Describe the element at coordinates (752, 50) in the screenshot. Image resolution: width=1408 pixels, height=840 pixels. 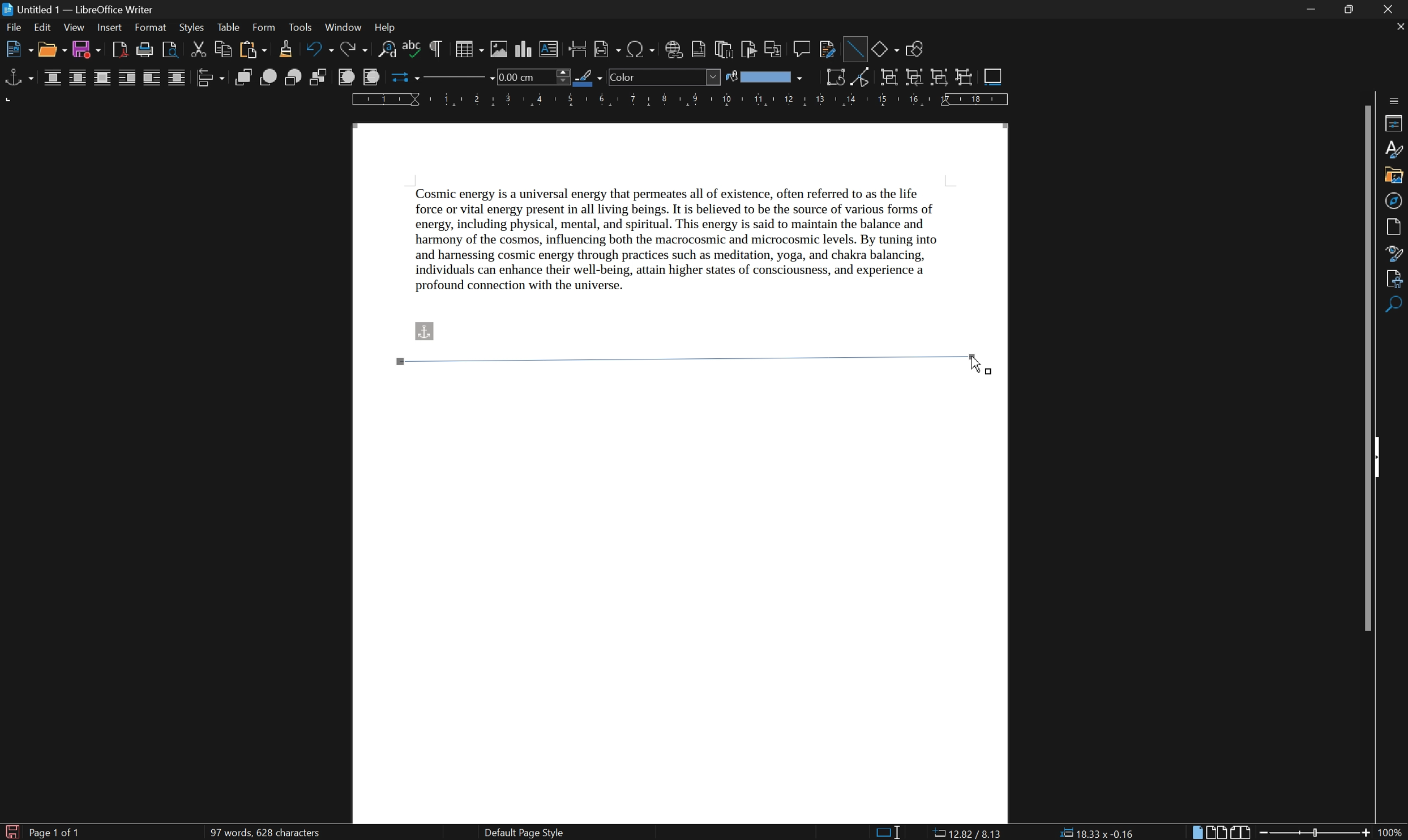
I see `insert bookmark` at that location.